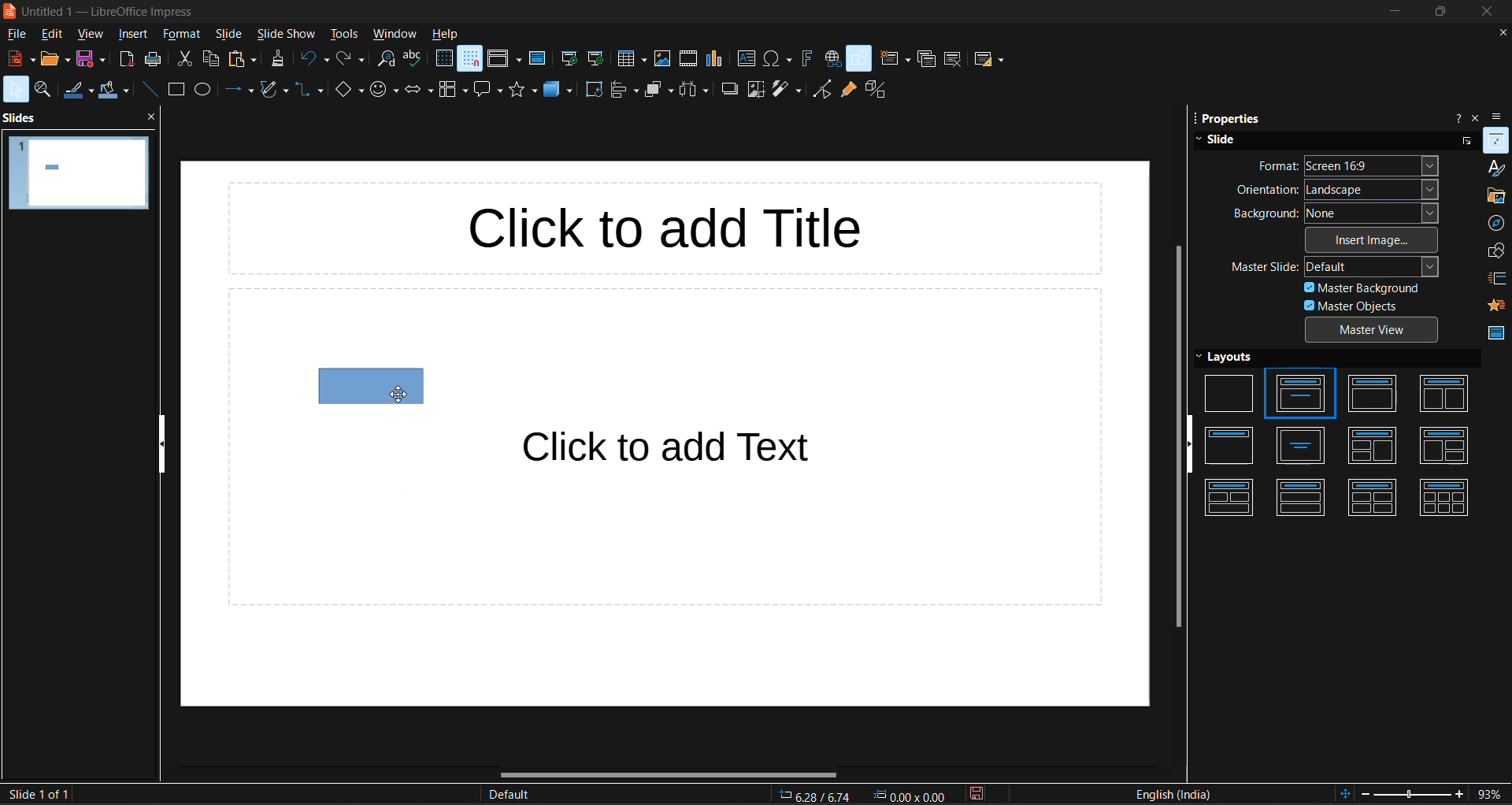  Describe the element at coordinates (307, 91) in the screenshot. I see `connectors` at that location.